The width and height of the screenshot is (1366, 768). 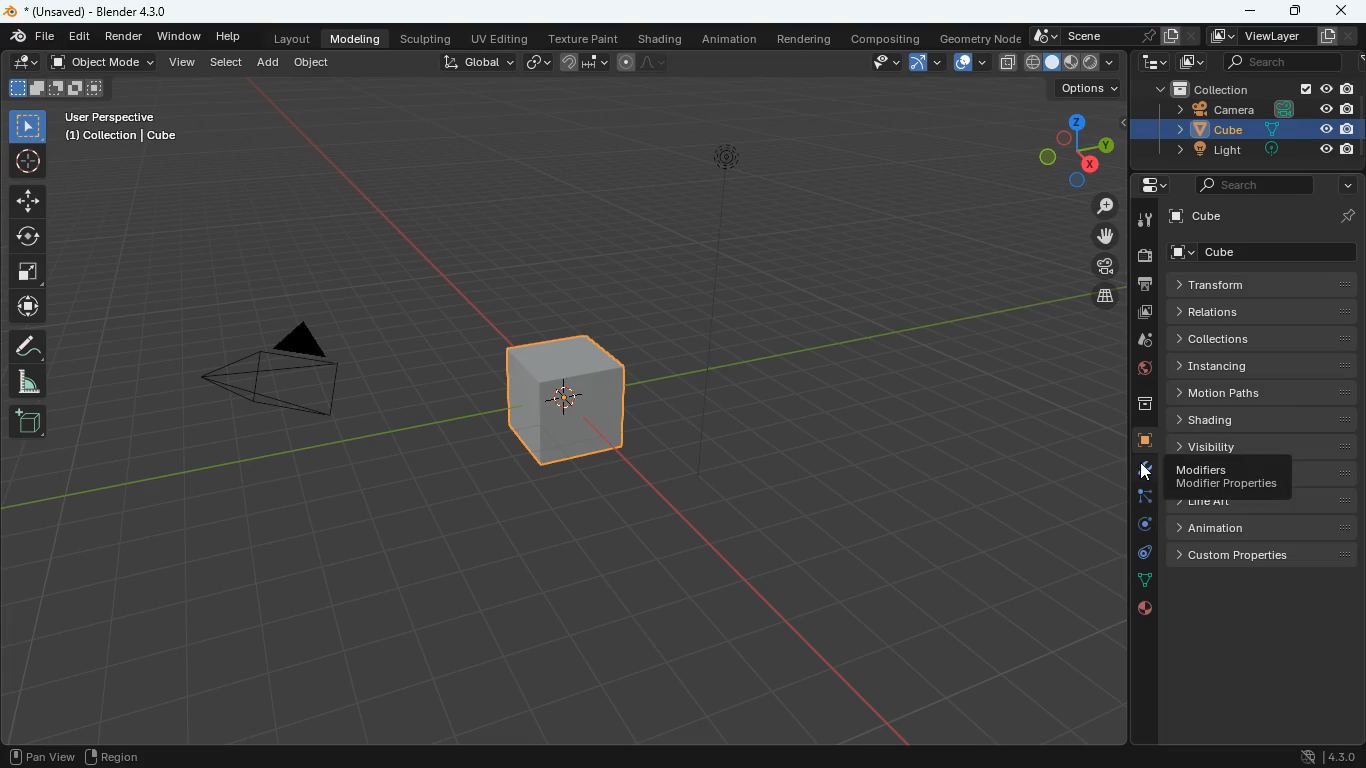 What do you see at coordinates (505, 39) in the screenshot?
I see `uv editing` at bounding box center [505, 39].